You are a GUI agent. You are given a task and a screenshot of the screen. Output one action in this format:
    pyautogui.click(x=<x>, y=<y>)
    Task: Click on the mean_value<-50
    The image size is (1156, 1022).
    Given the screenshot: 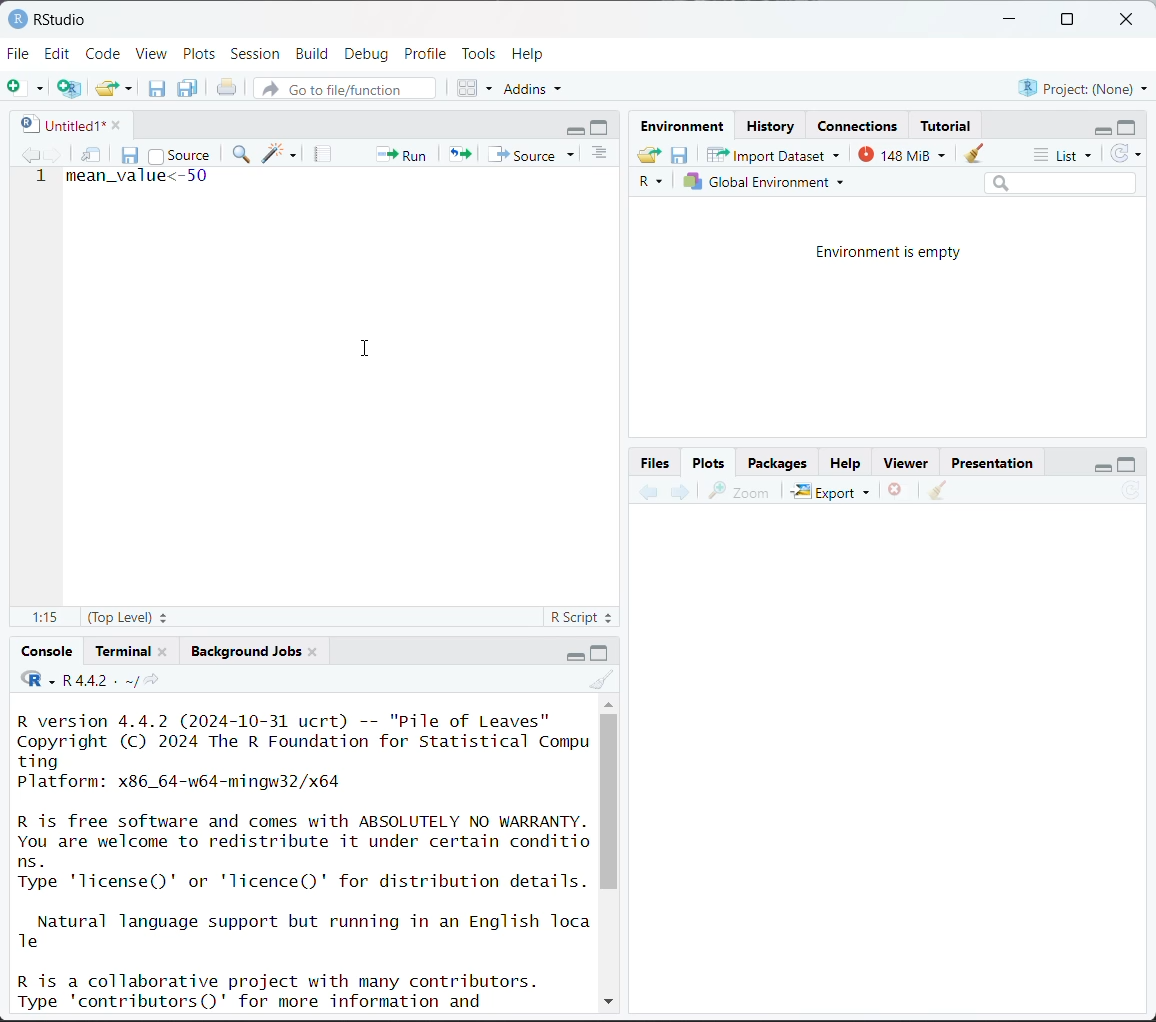 What is the action you would take?
    pyautogui.click(x=137, y=181)
    